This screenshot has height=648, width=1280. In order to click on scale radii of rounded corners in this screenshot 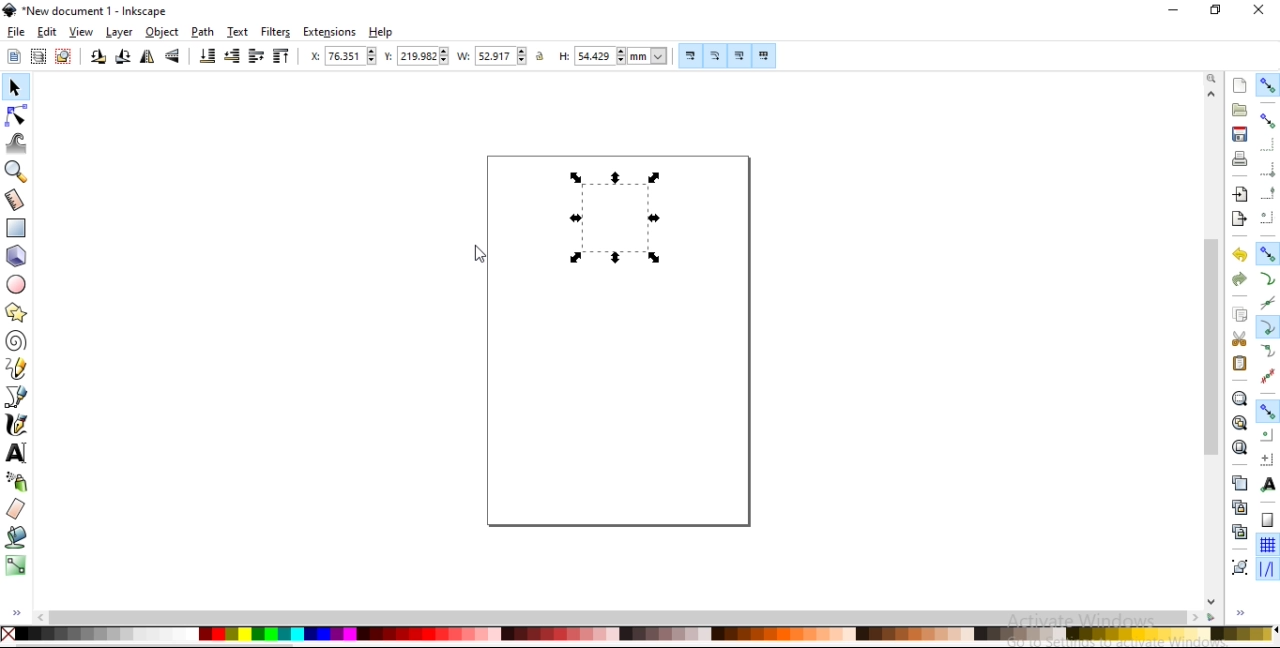, I will do `click(716, 57)`.